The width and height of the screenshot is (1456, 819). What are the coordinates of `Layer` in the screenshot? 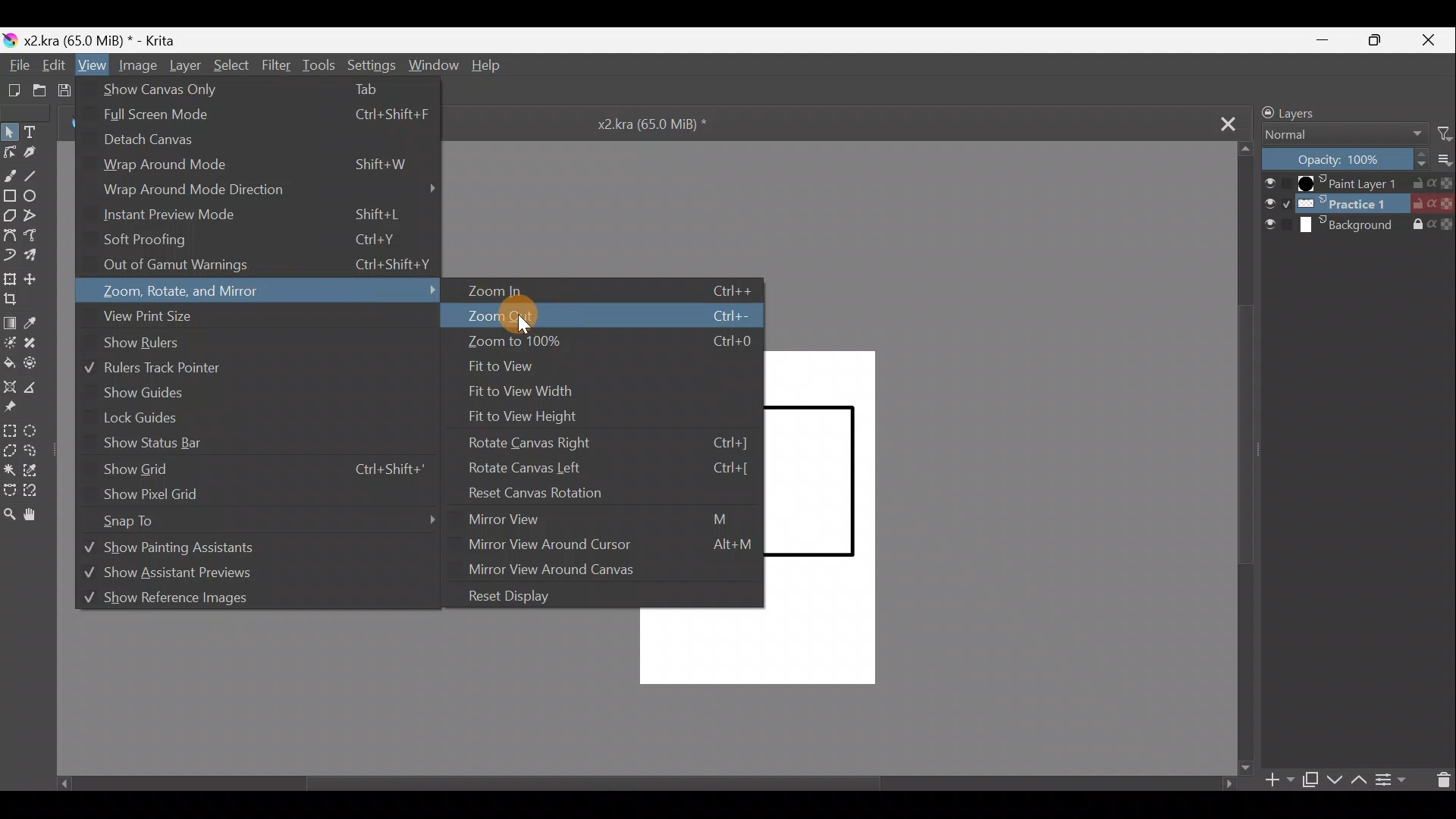 It's located at (184, 67).